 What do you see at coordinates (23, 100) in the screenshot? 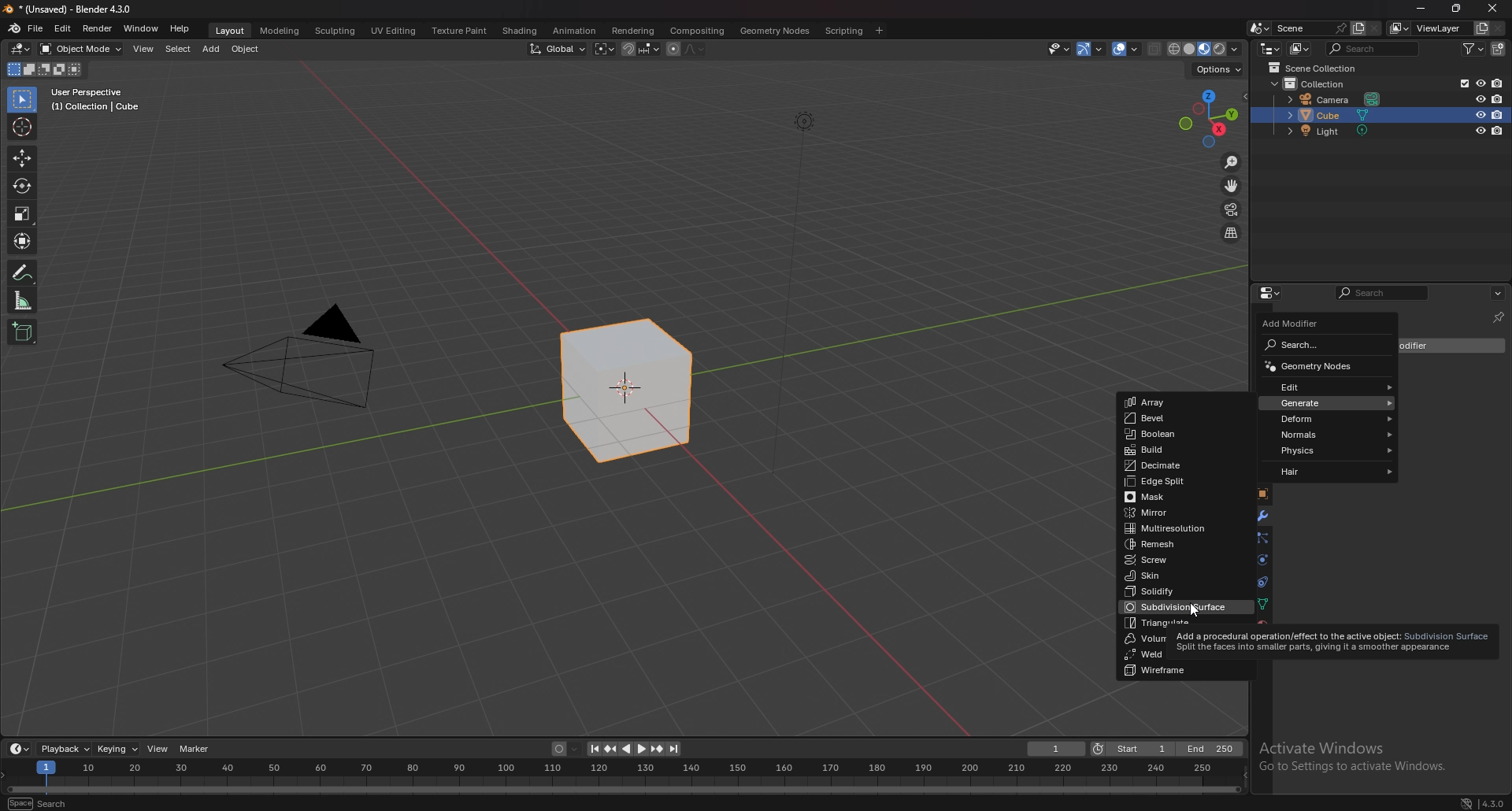
I see `selector` at bounding box center [23, 100].